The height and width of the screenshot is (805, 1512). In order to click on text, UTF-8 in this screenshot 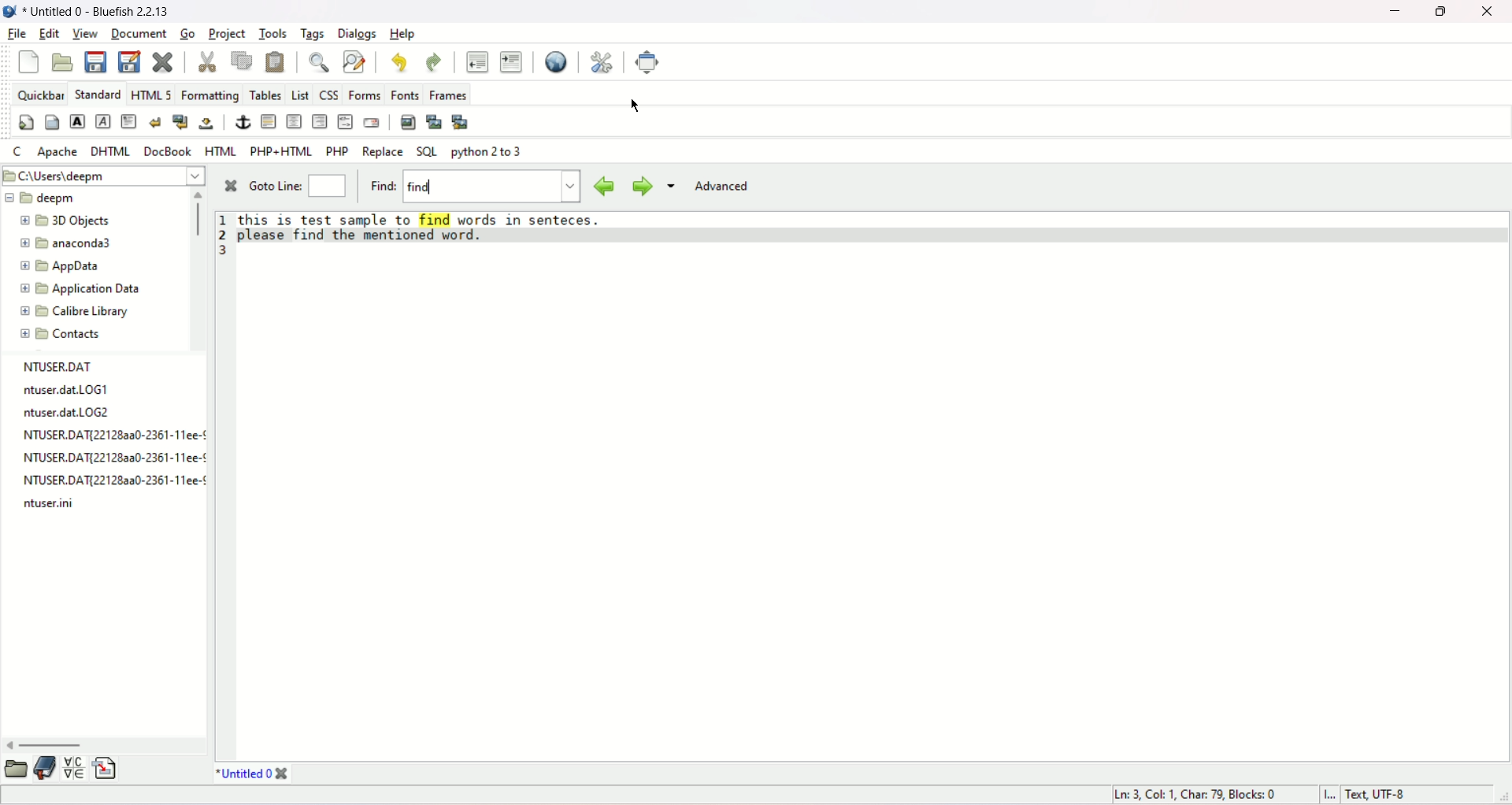, I will do `click(1376, 794)`.